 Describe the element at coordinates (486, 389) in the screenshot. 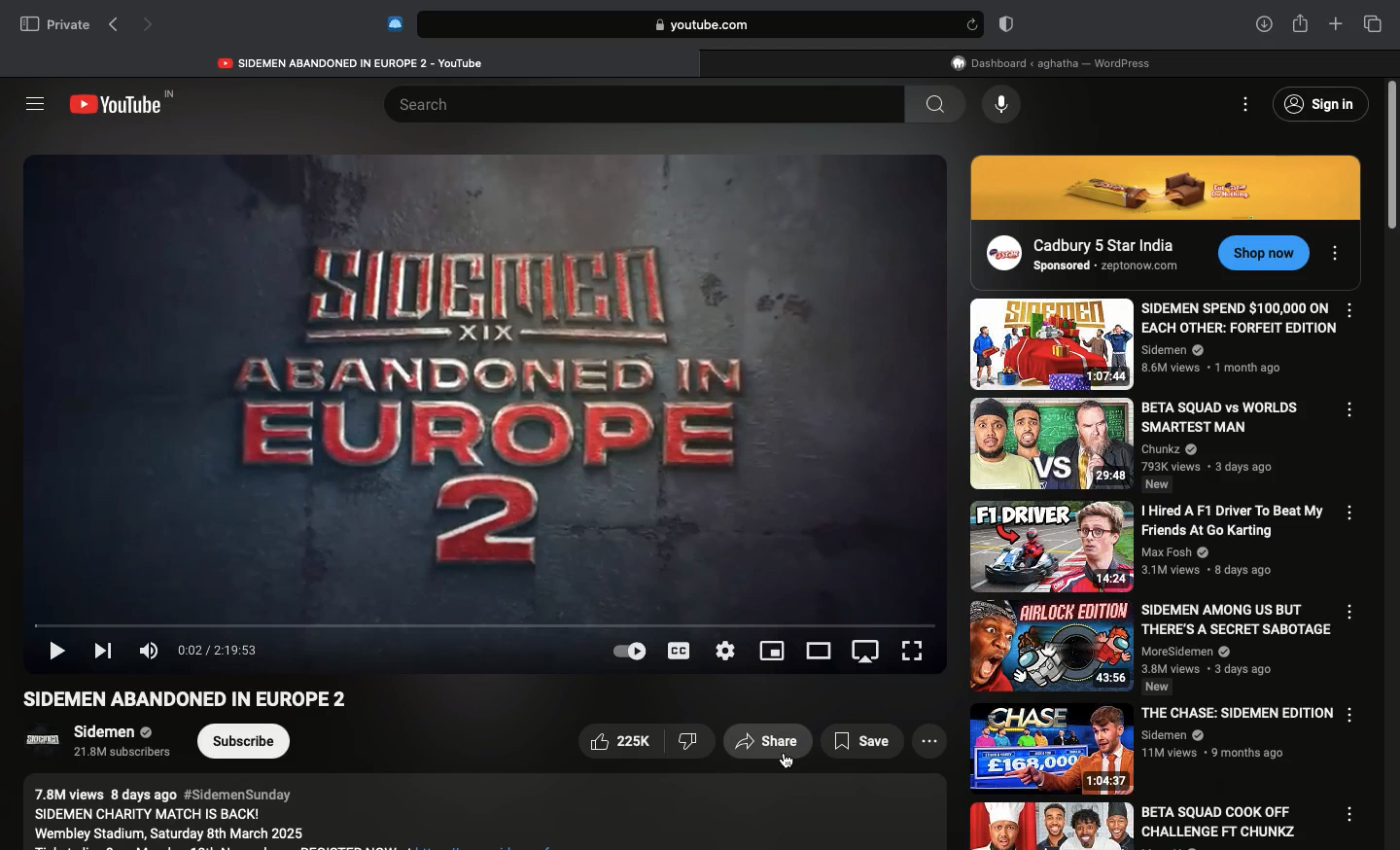

I see `Videos` at that location.